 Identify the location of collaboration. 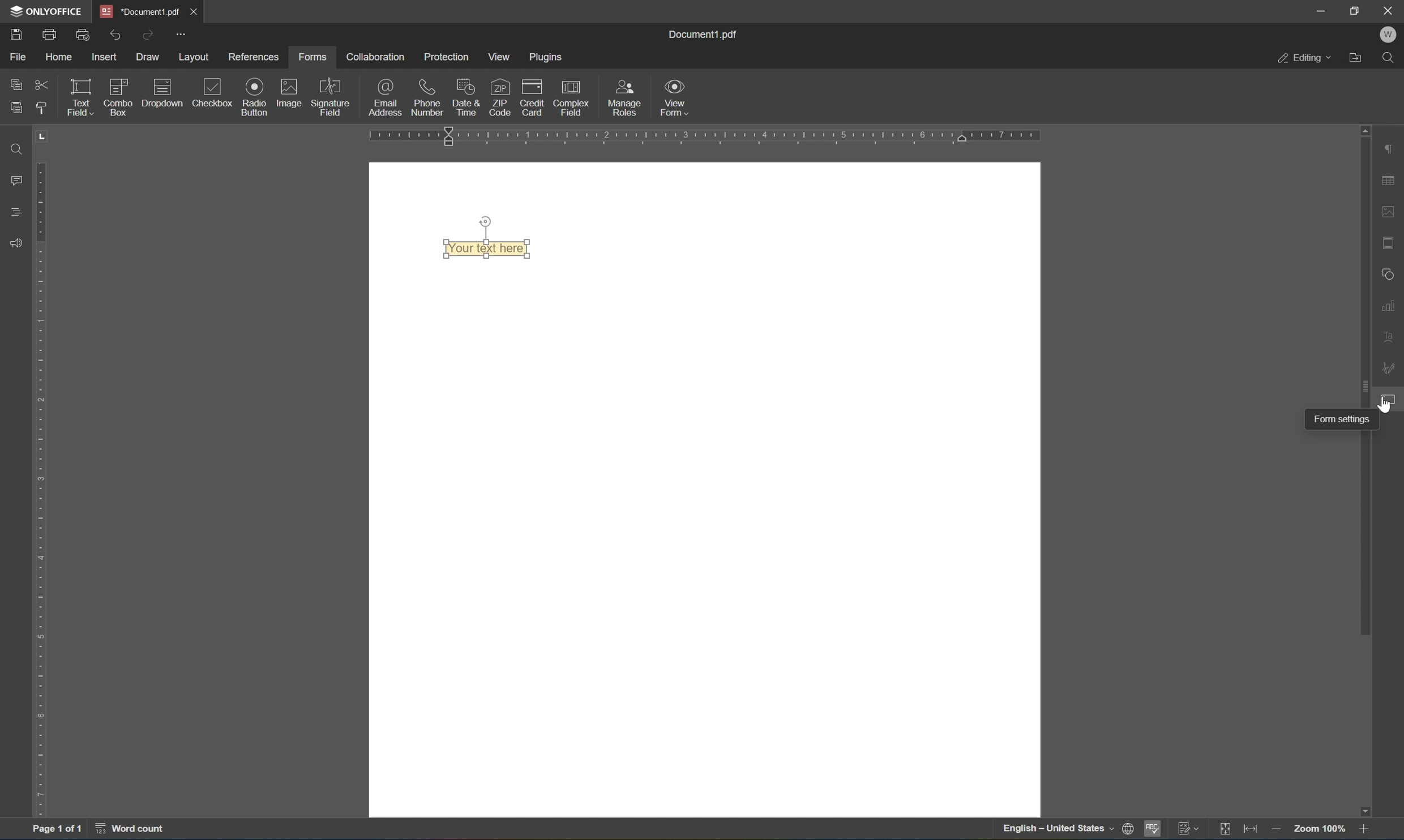
(378, 58).